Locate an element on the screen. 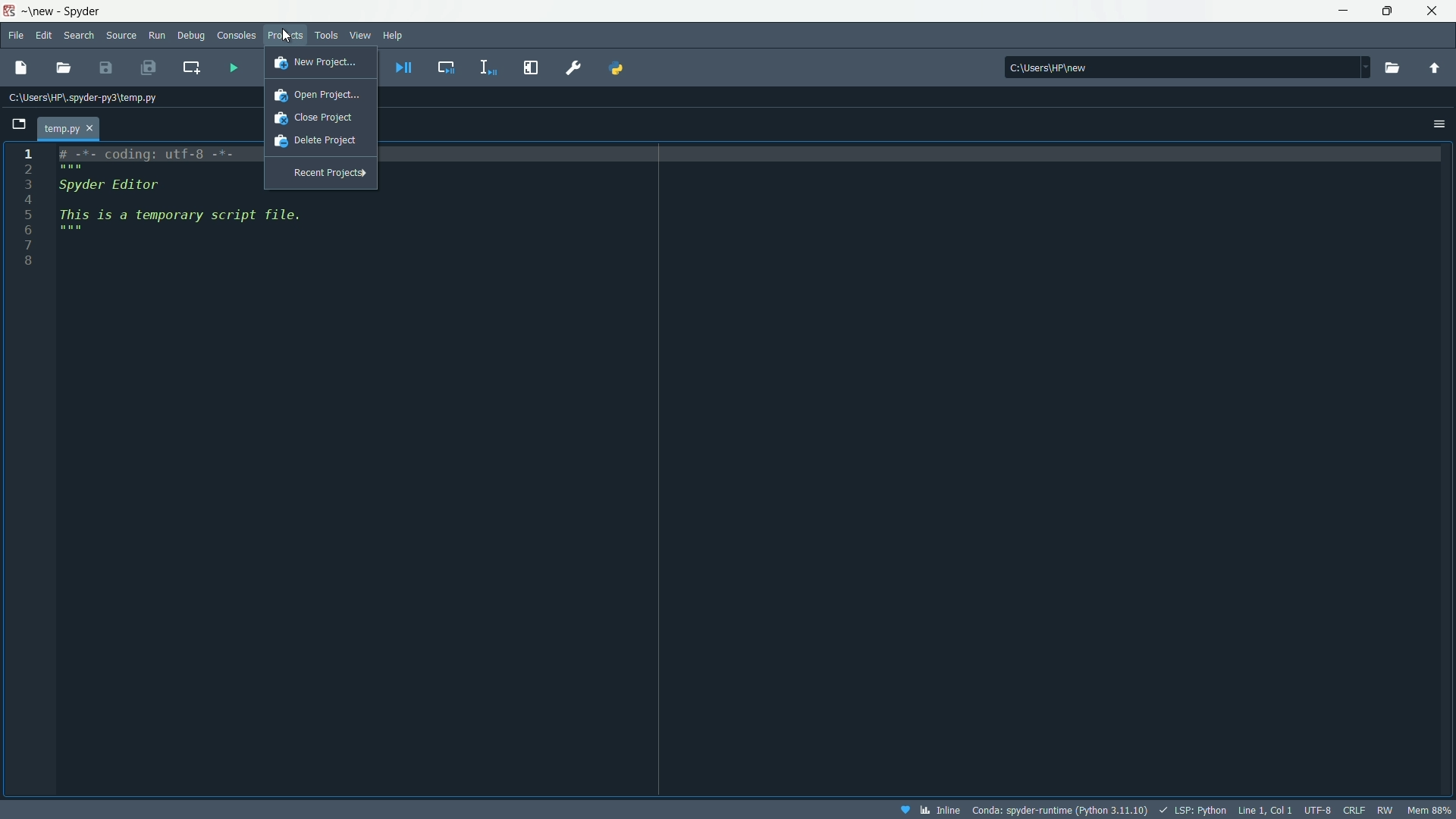  Debug selection is located at coordinates (448, 65).